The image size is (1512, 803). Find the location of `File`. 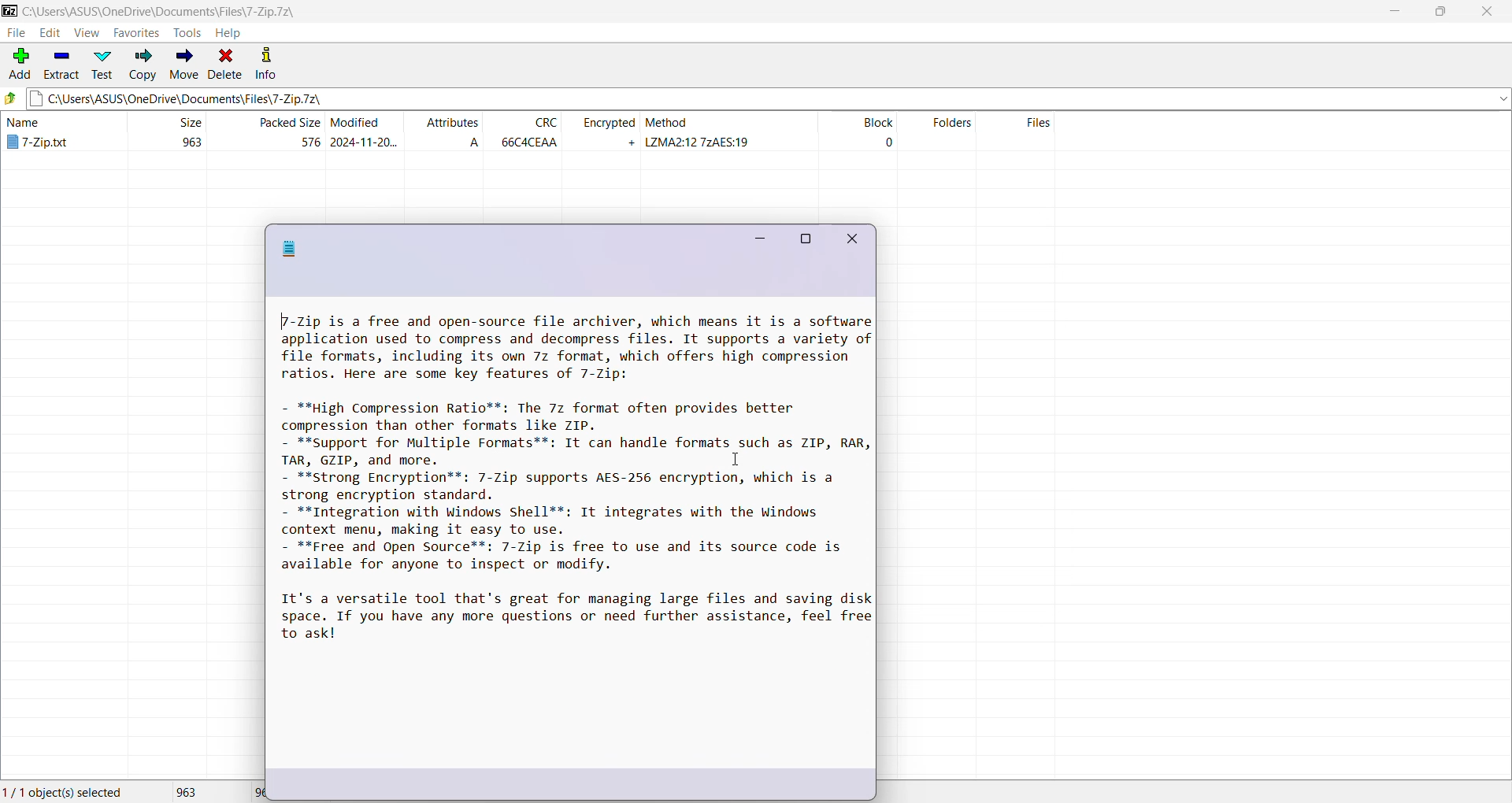

File is located at coordinates (14, 33).